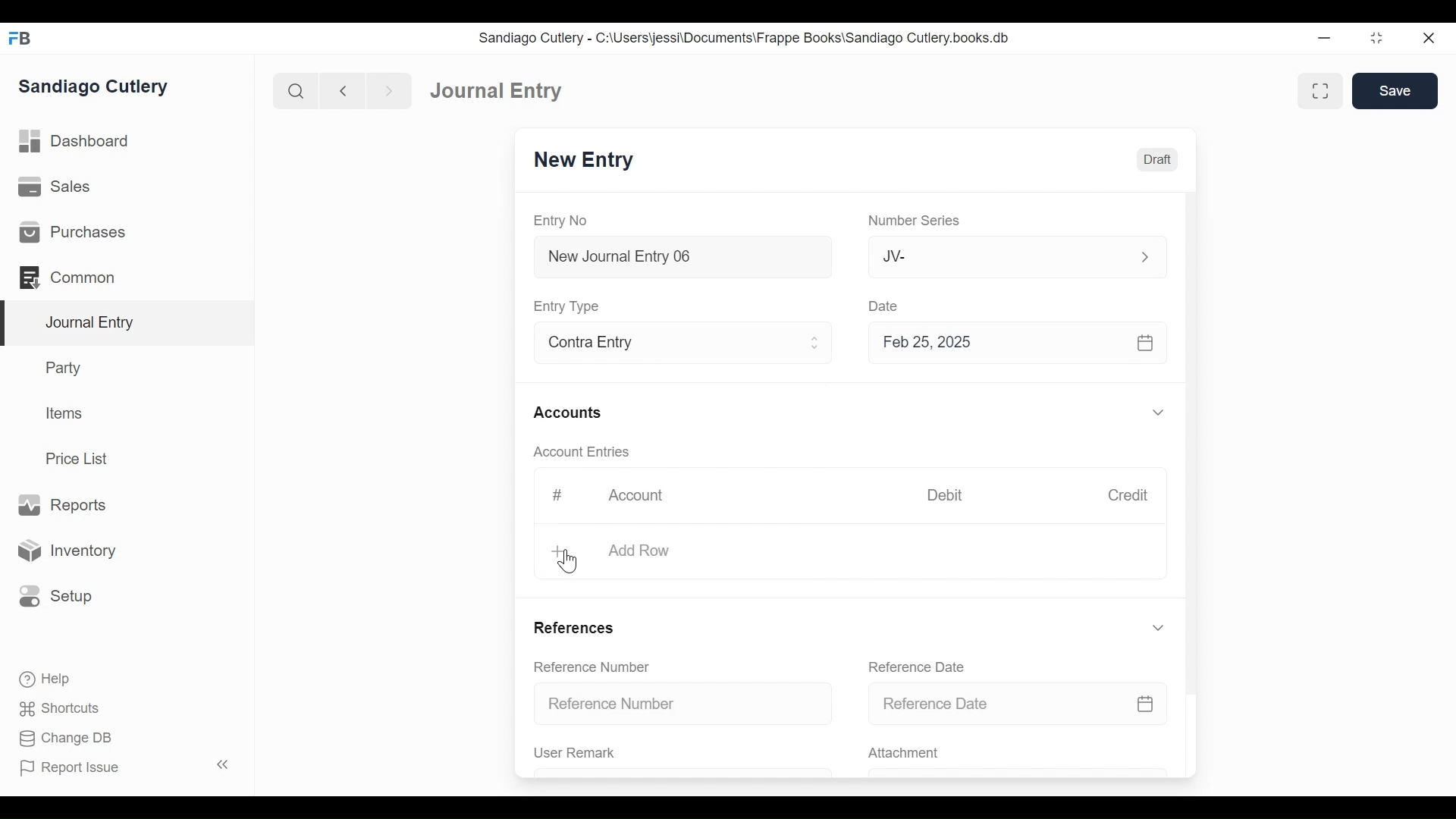 Image resolution: width=1456 pixels, height=819 pixels. What do you see at coordinates (561, 221) in the screenshot?
I see `Entry No` at bounding box center [561, 221].